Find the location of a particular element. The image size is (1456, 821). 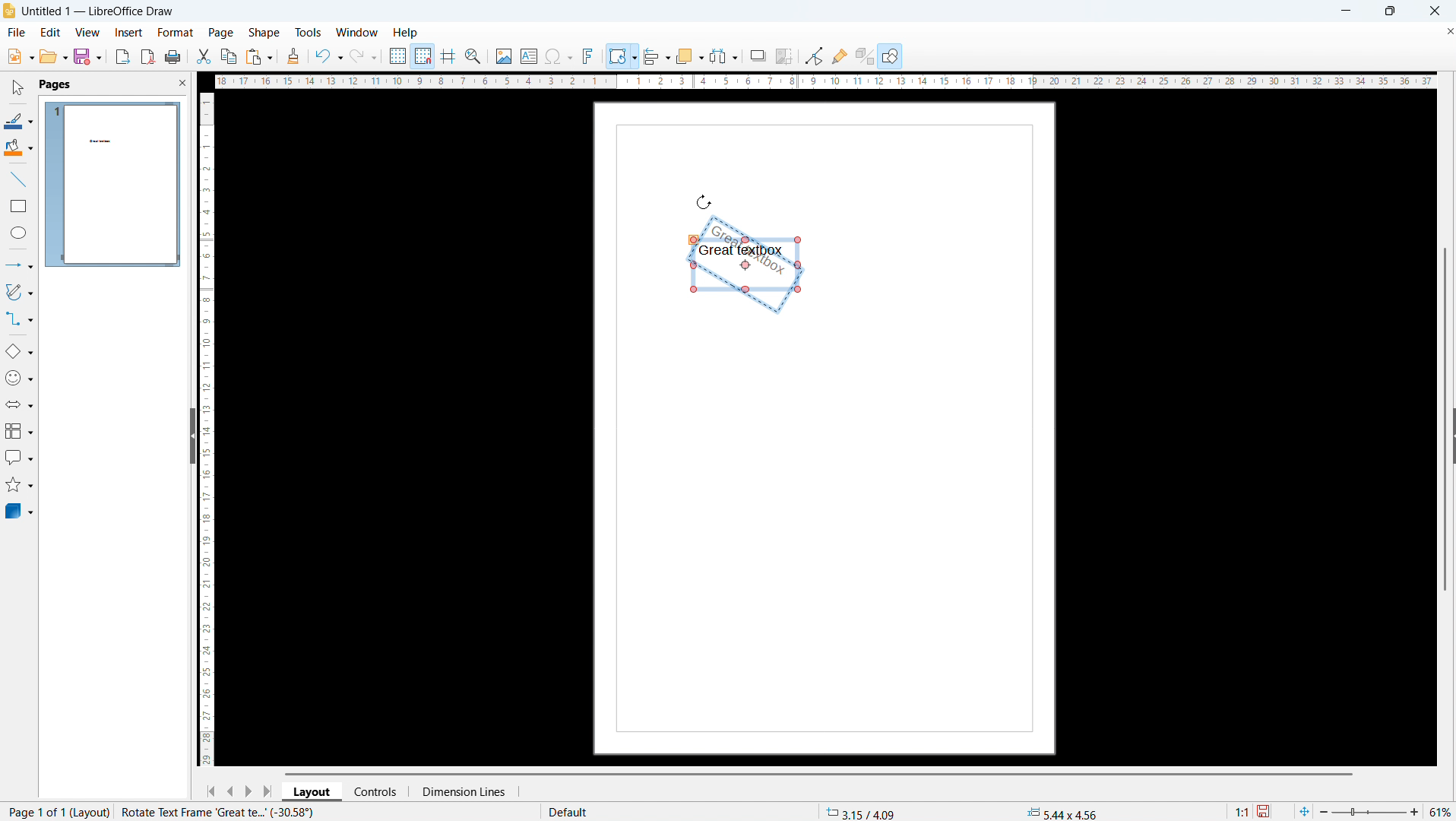

page number is located at coordinates (55, 813).